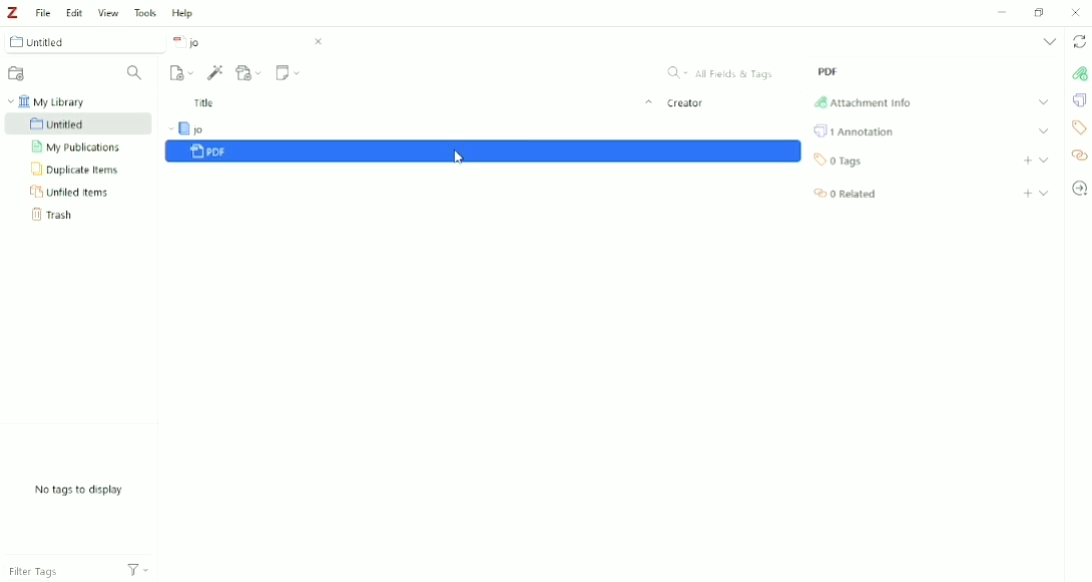 This screenshot has width=1092, height=582. Describe the element at coordinates (185, 13) in the screenshot. I see `Help` at that location.